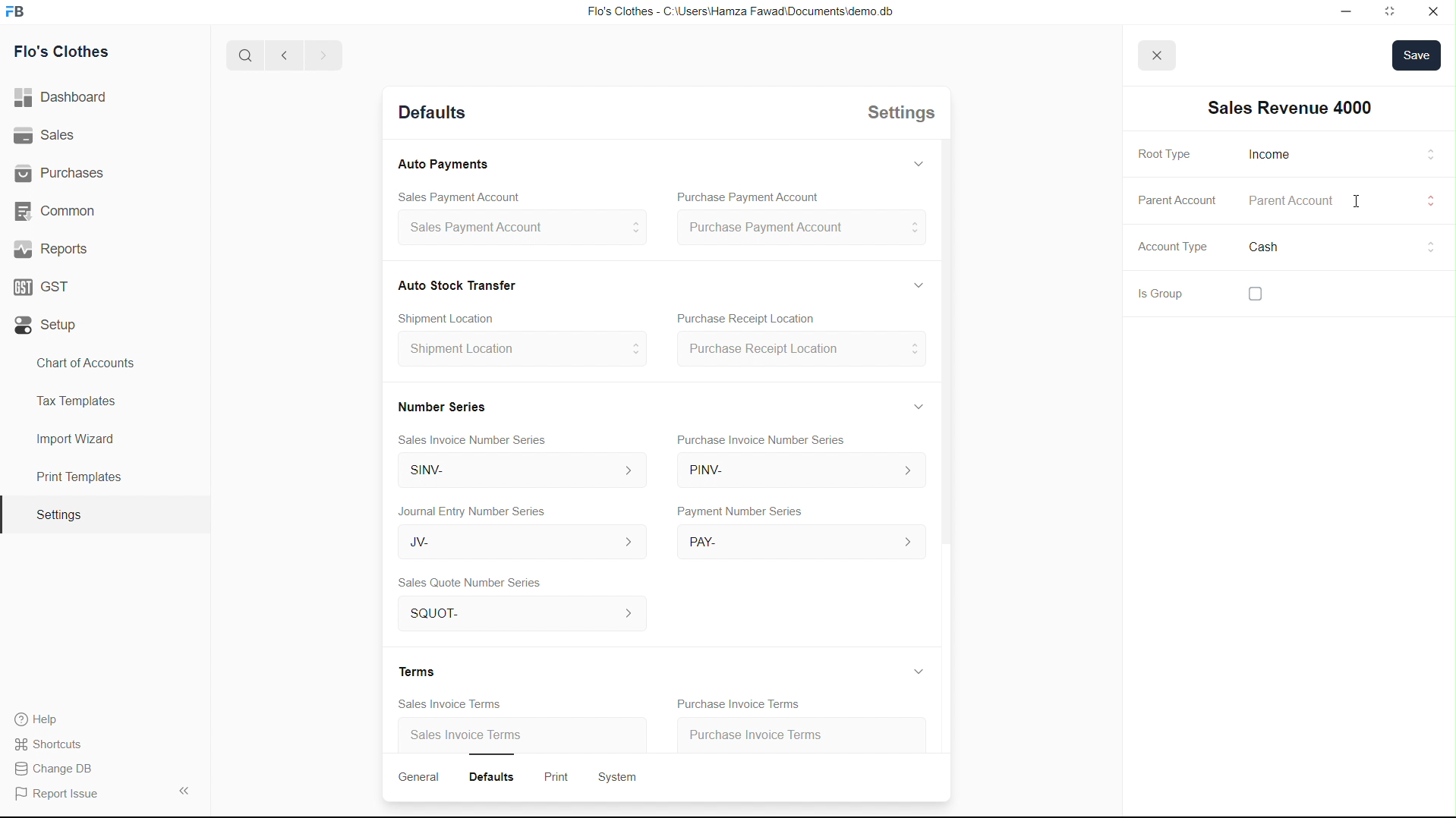 The width and height of the screenshot is (1456, 818). What do you see at coordinates (739, 12) in the screenshot?
I see `Flo's Clothes - C:\Users\Hamza Fawad\Documents\demo db` at bounding box center [739, 12].